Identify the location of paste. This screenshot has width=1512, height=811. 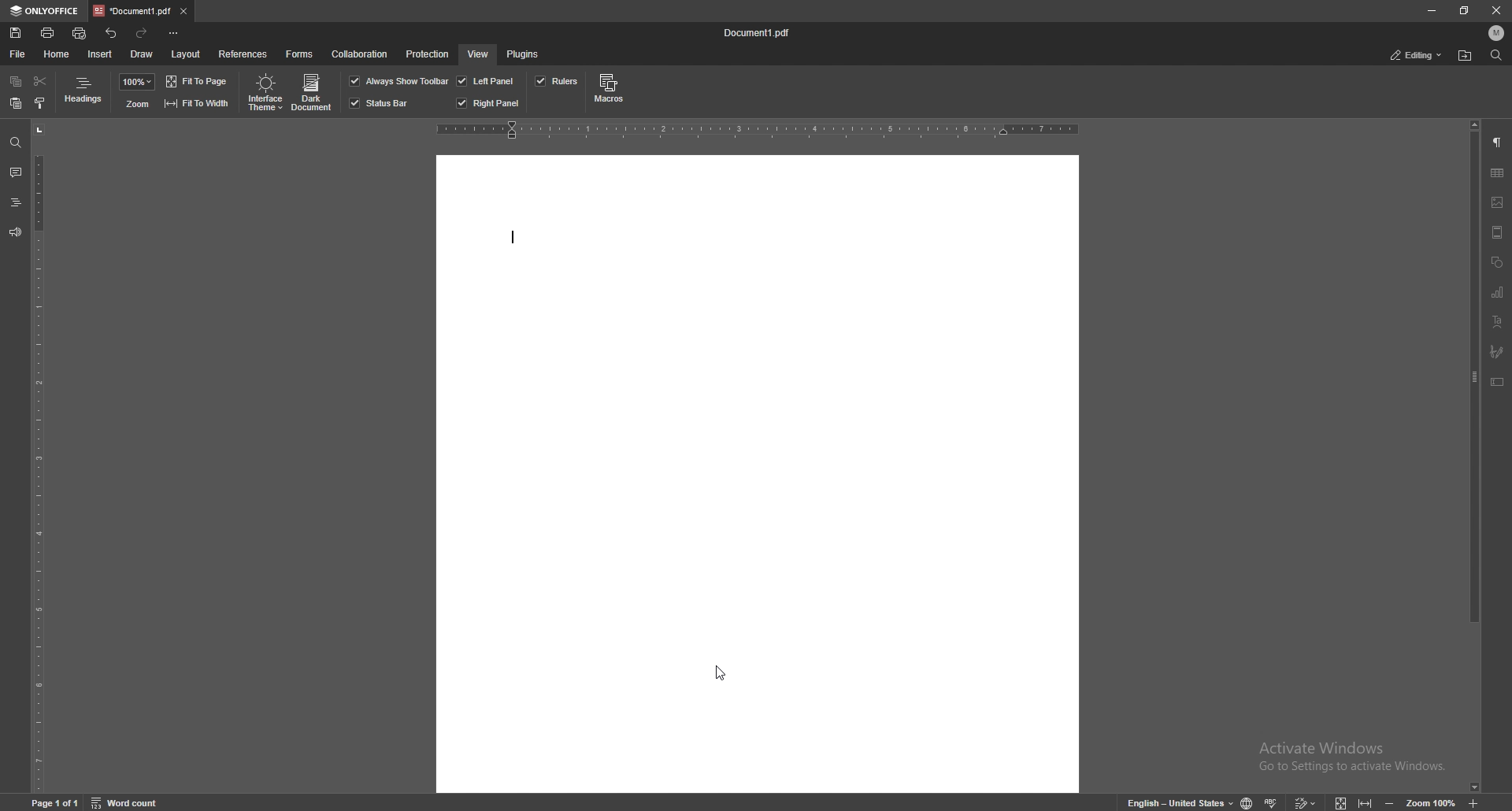
(16, 104).